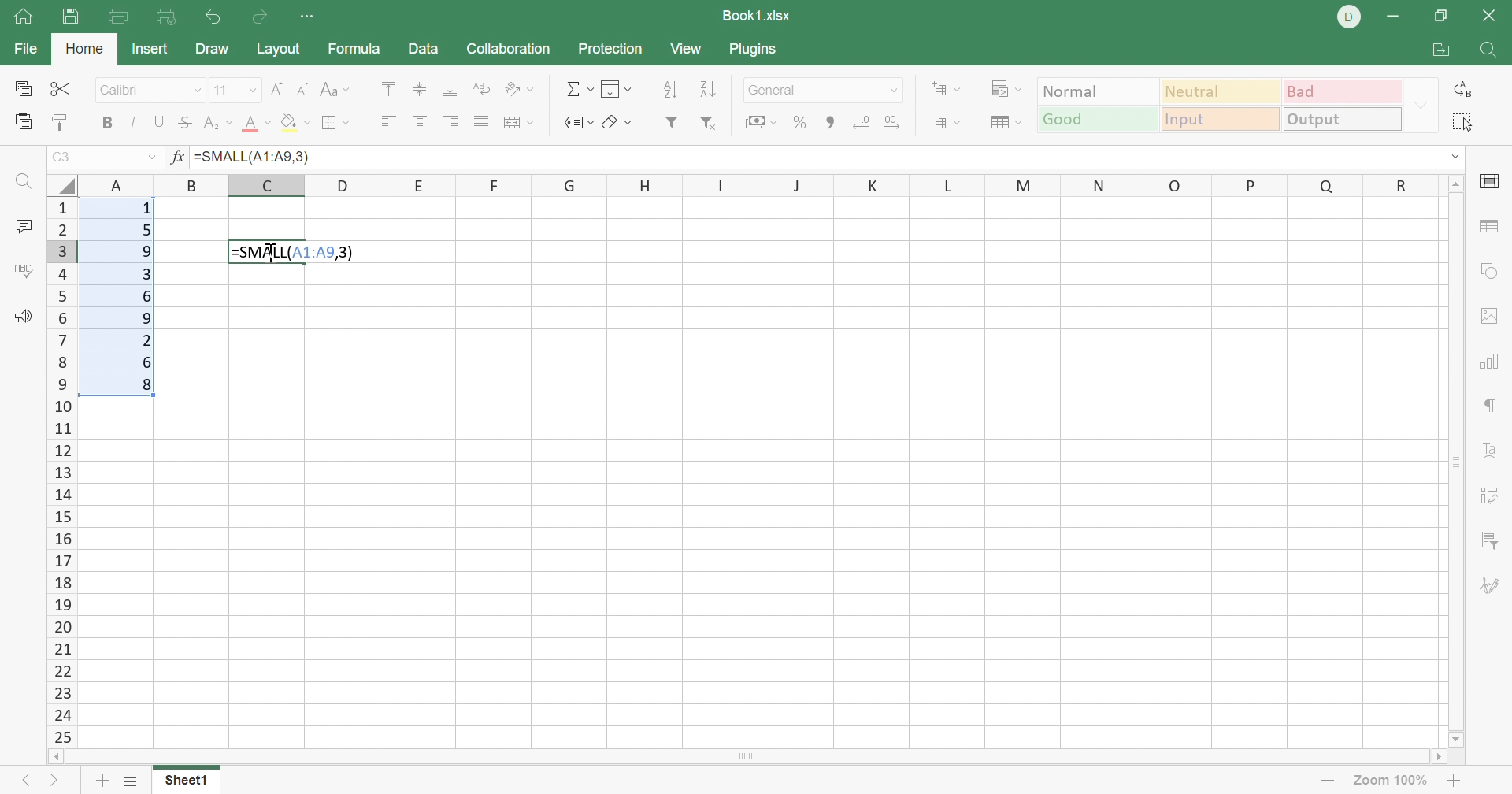  Describe the element at coordinates (1390, 781) in the screenshot. I see `Zoom out 100%` at that location.